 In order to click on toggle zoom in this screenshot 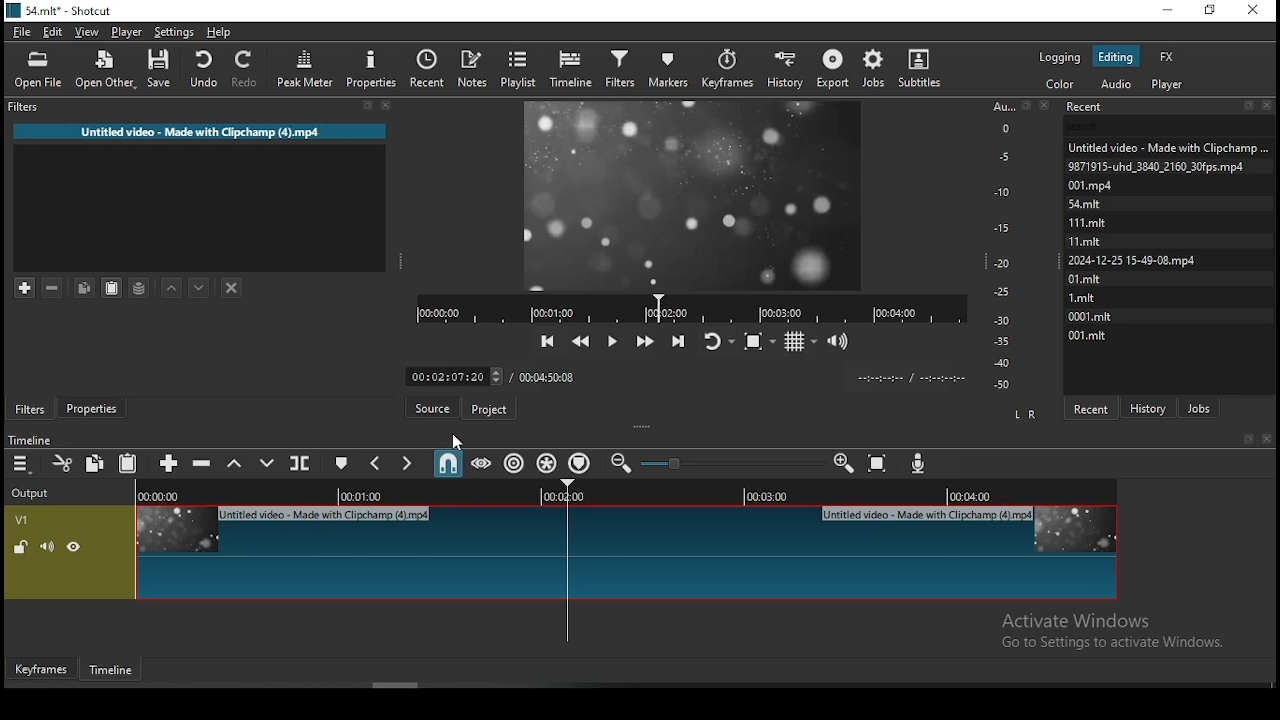, I will do `click(759, 343)`.